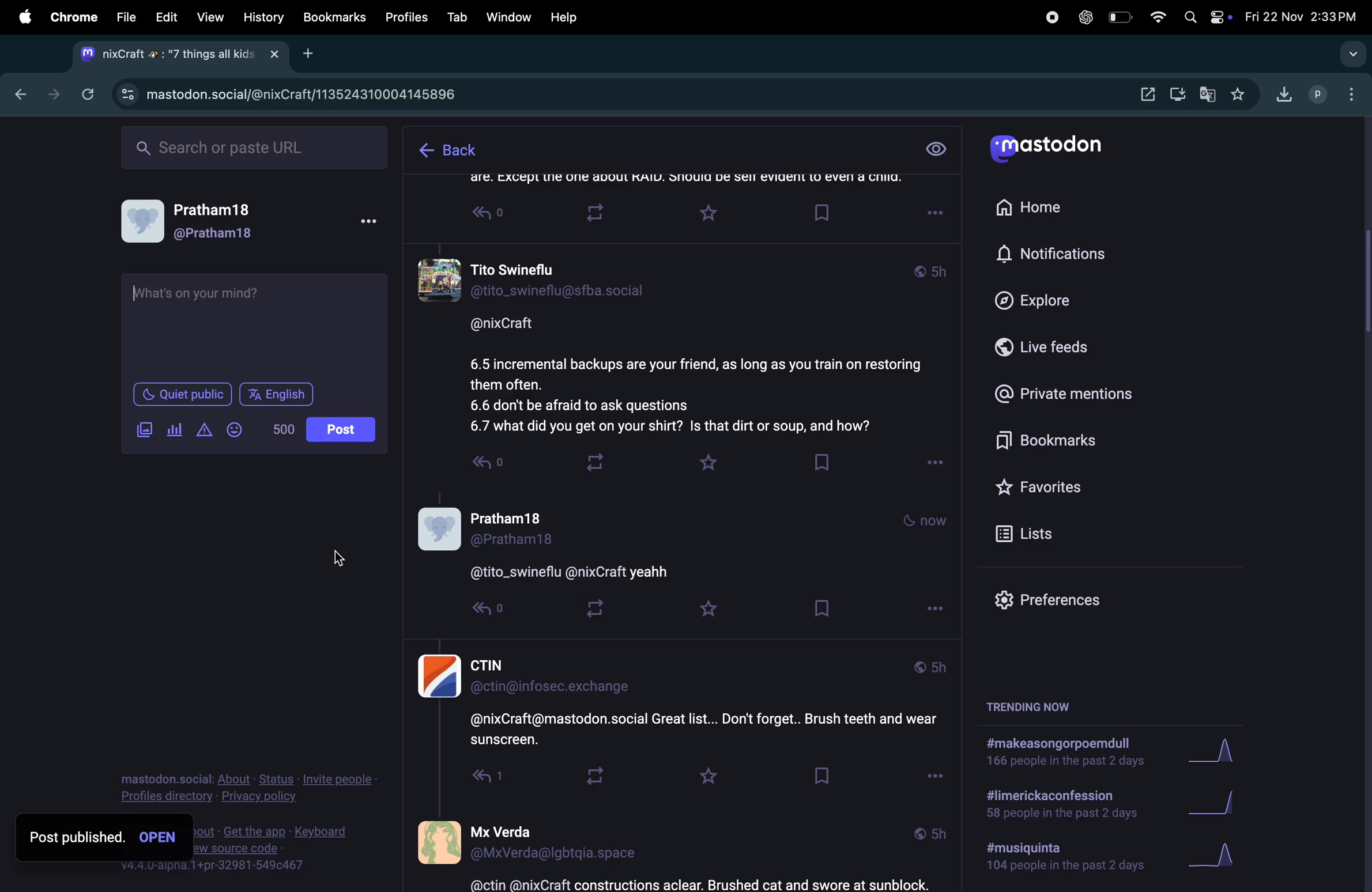 The image size is (1372, 892). What do you see at coordinates (685, 545) in the screenshot?
I see `thread` at bounding box center [685, 545].